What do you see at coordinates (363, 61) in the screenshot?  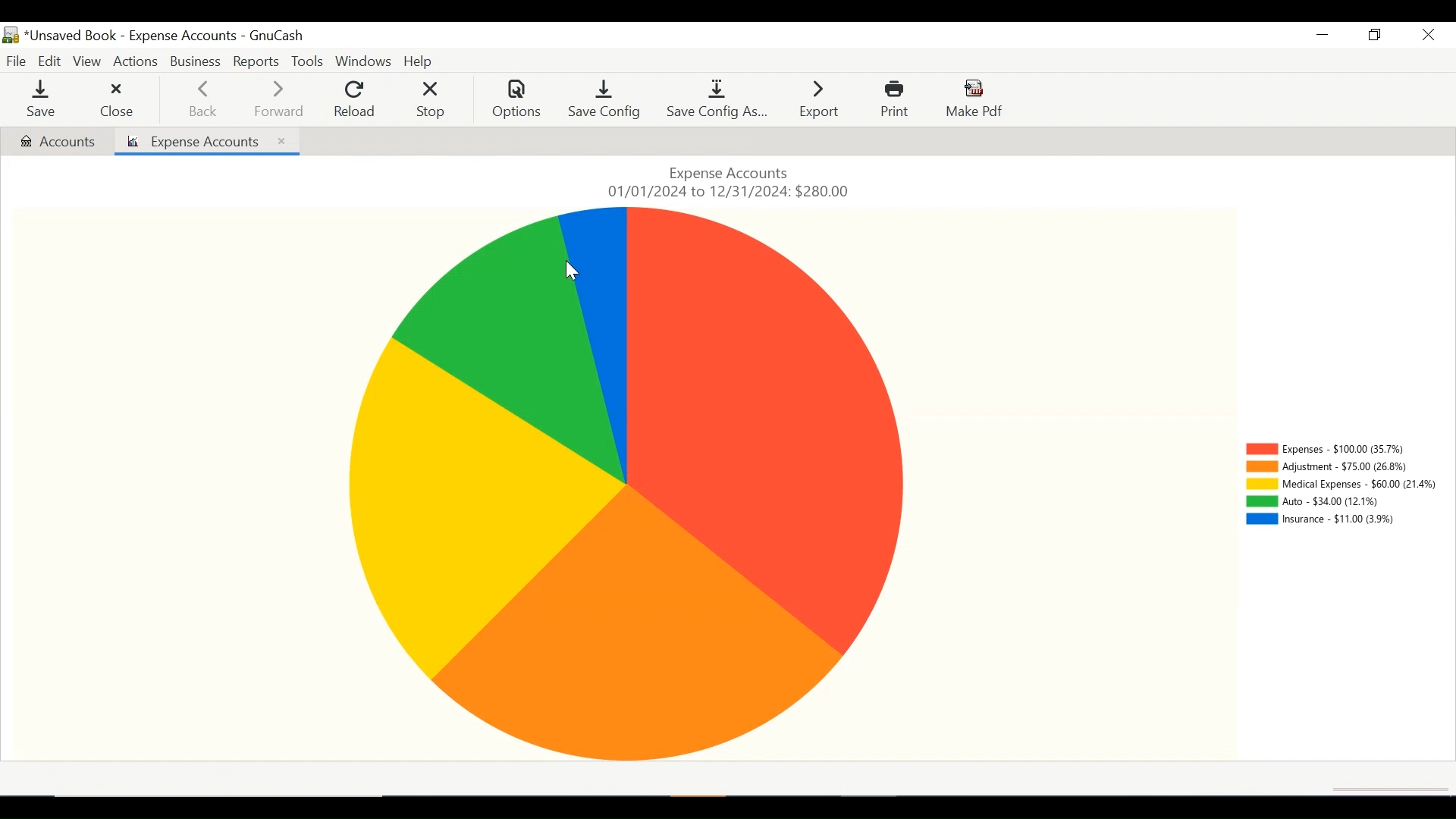 I see `Windows` at bounding box center [363, 61].